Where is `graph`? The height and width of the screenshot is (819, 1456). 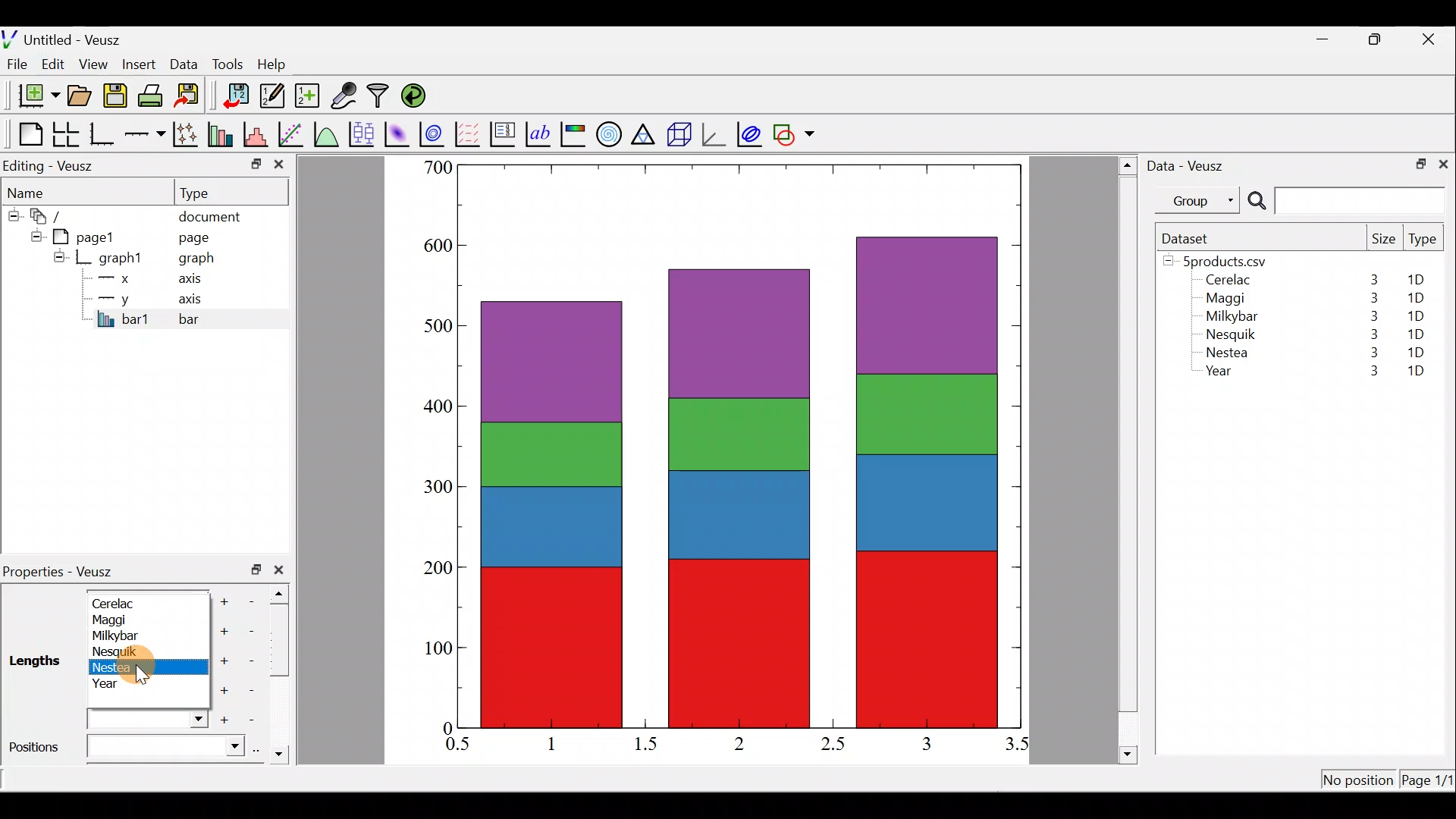 graph is located at coordinates (196, 260).